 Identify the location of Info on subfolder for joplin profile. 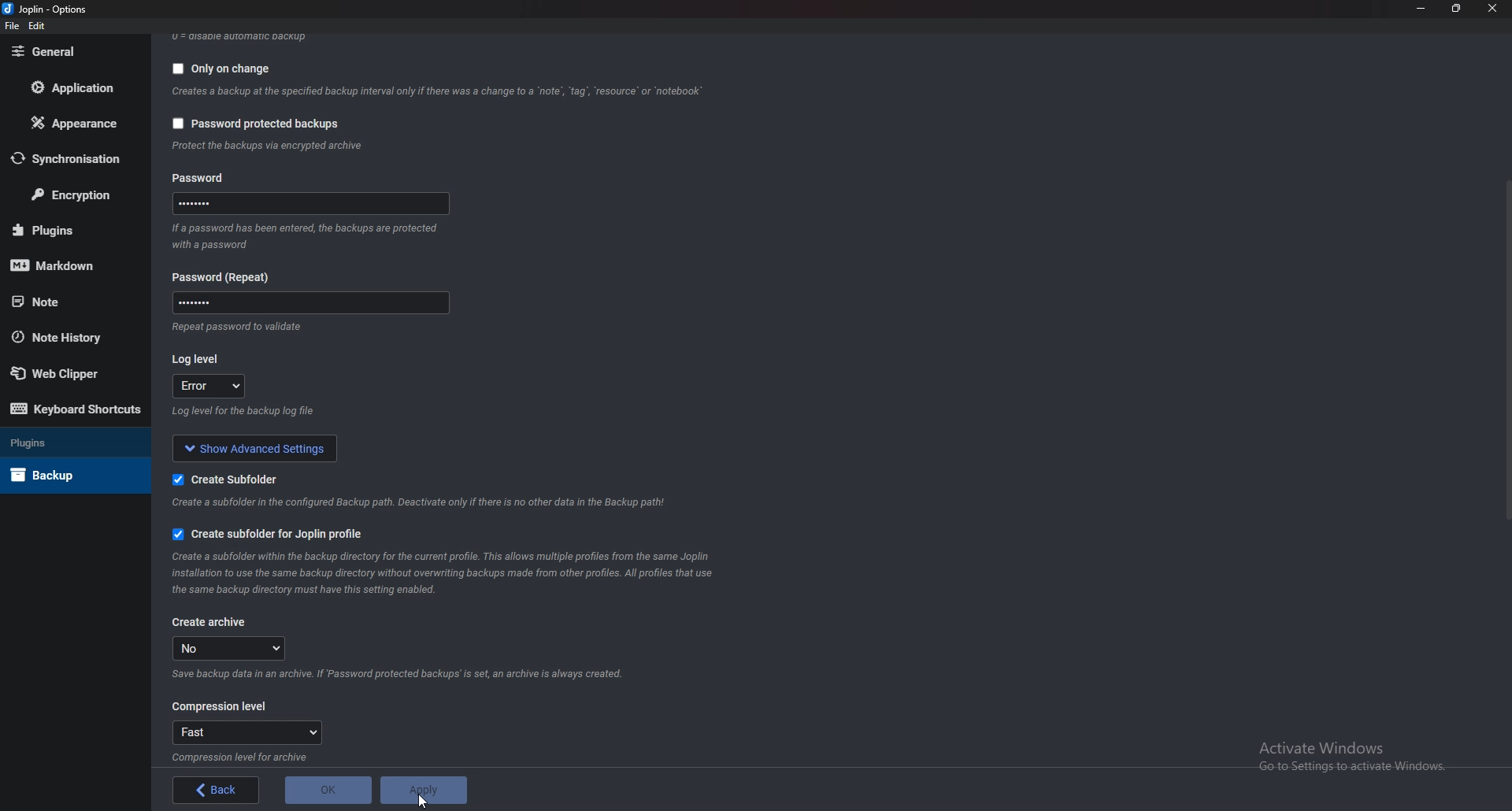
(447, 576).